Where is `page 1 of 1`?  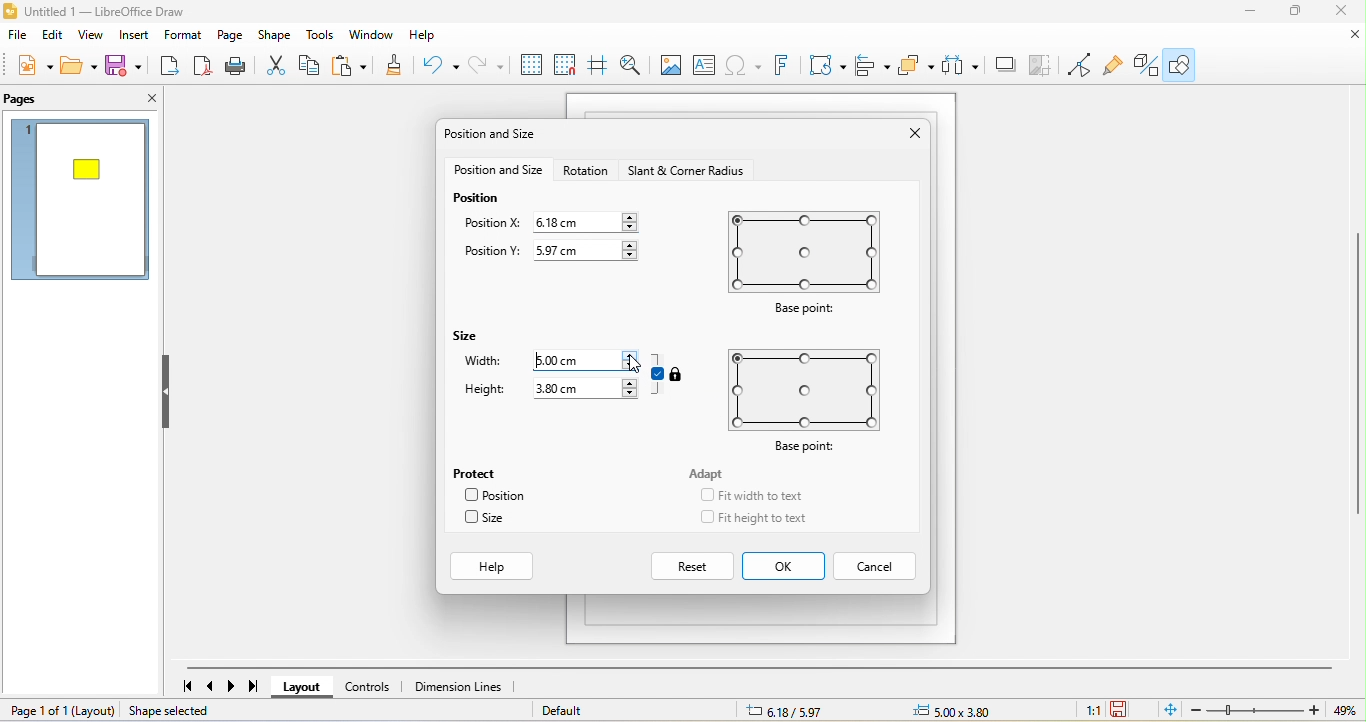 page 1 of 1 is located at coordinates (61, 711).